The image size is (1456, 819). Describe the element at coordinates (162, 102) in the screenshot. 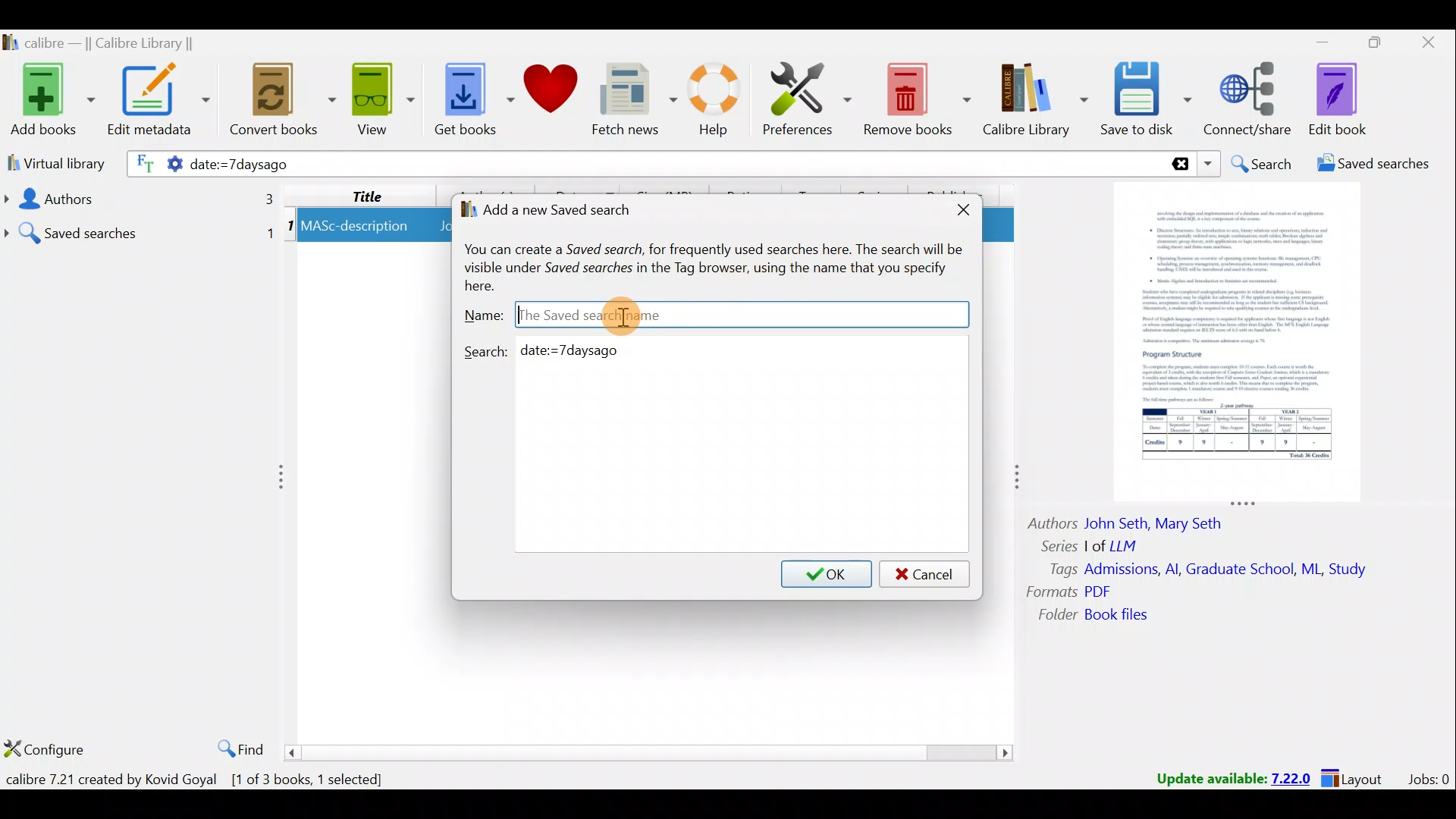

I see `Edit metadata` at that location.